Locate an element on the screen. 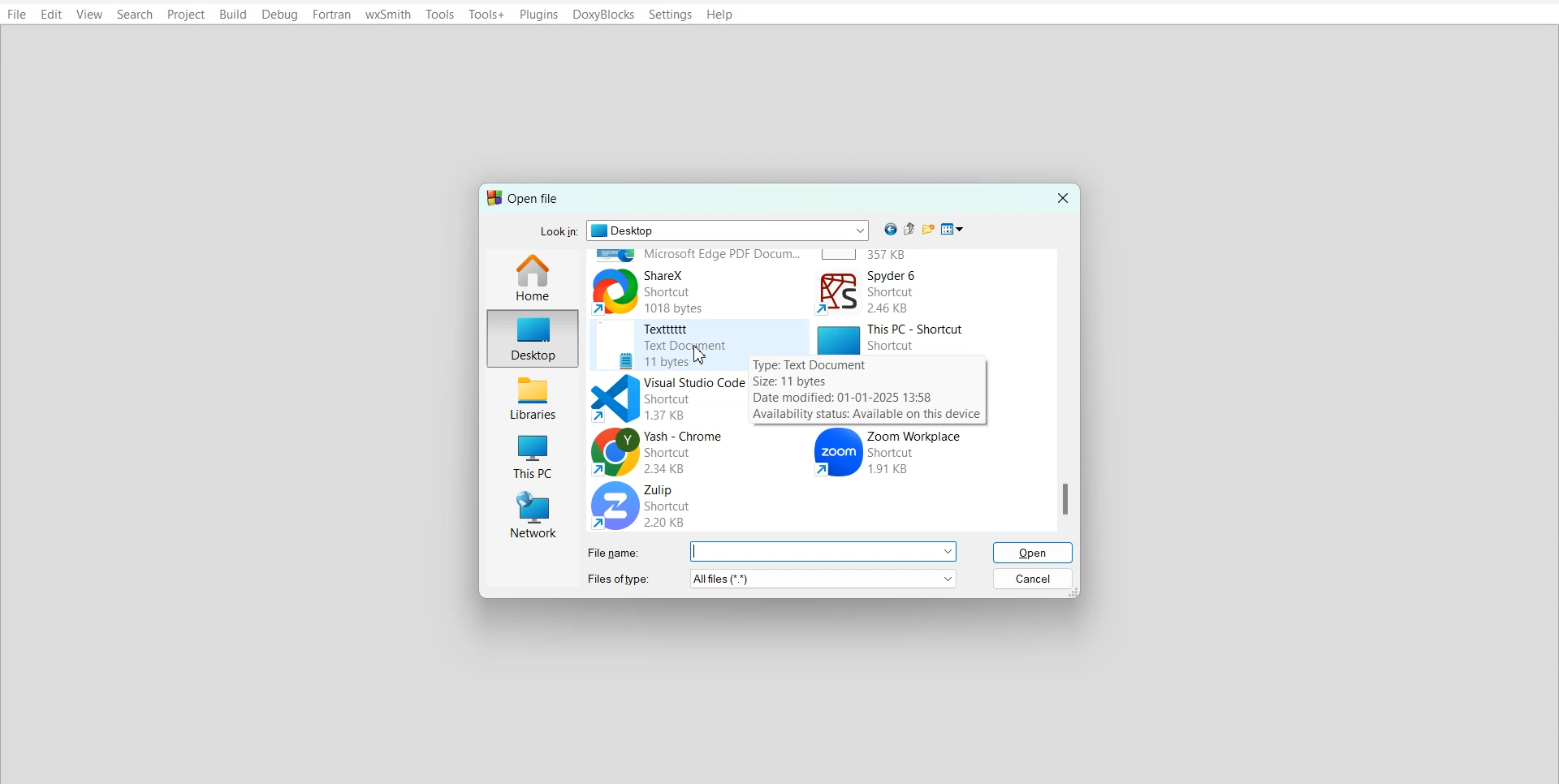 The height and width of the screenshot is (784, 1559). Cursor is located at coordinates (697, 355).